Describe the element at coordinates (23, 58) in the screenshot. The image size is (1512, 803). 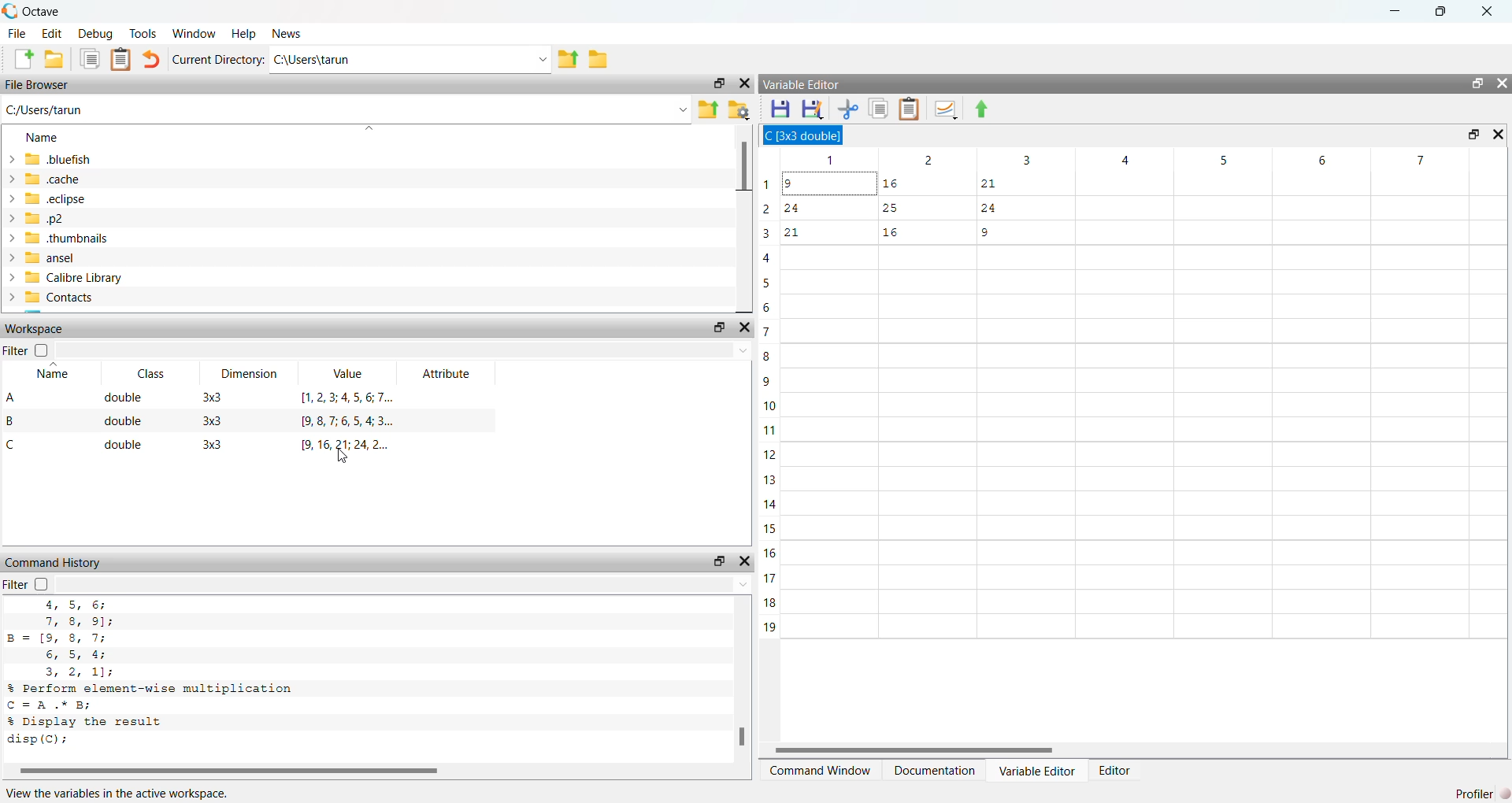
I see `Create New` at that location.